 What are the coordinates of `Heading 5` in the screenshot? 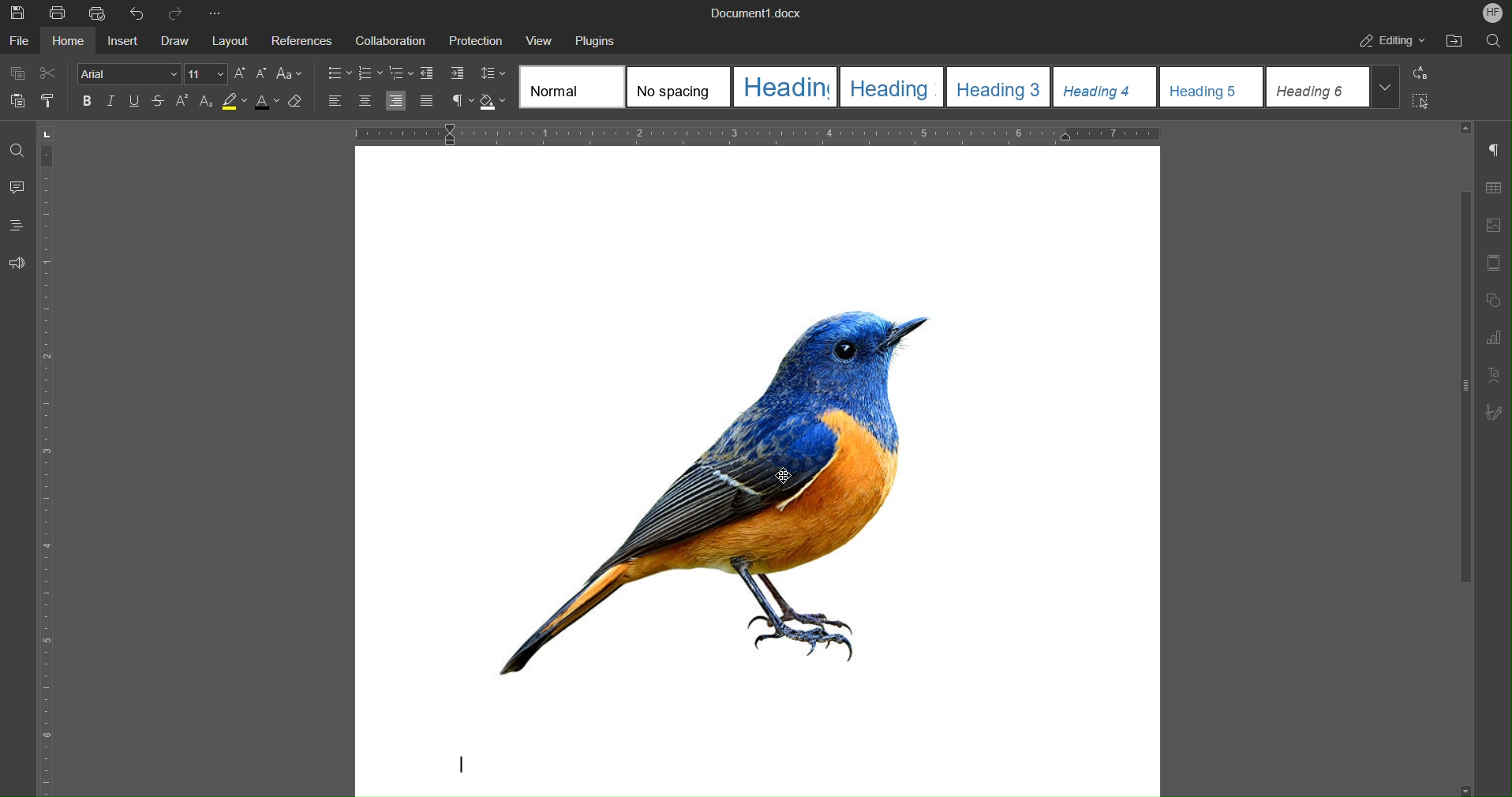 It's located at (1211, 85).